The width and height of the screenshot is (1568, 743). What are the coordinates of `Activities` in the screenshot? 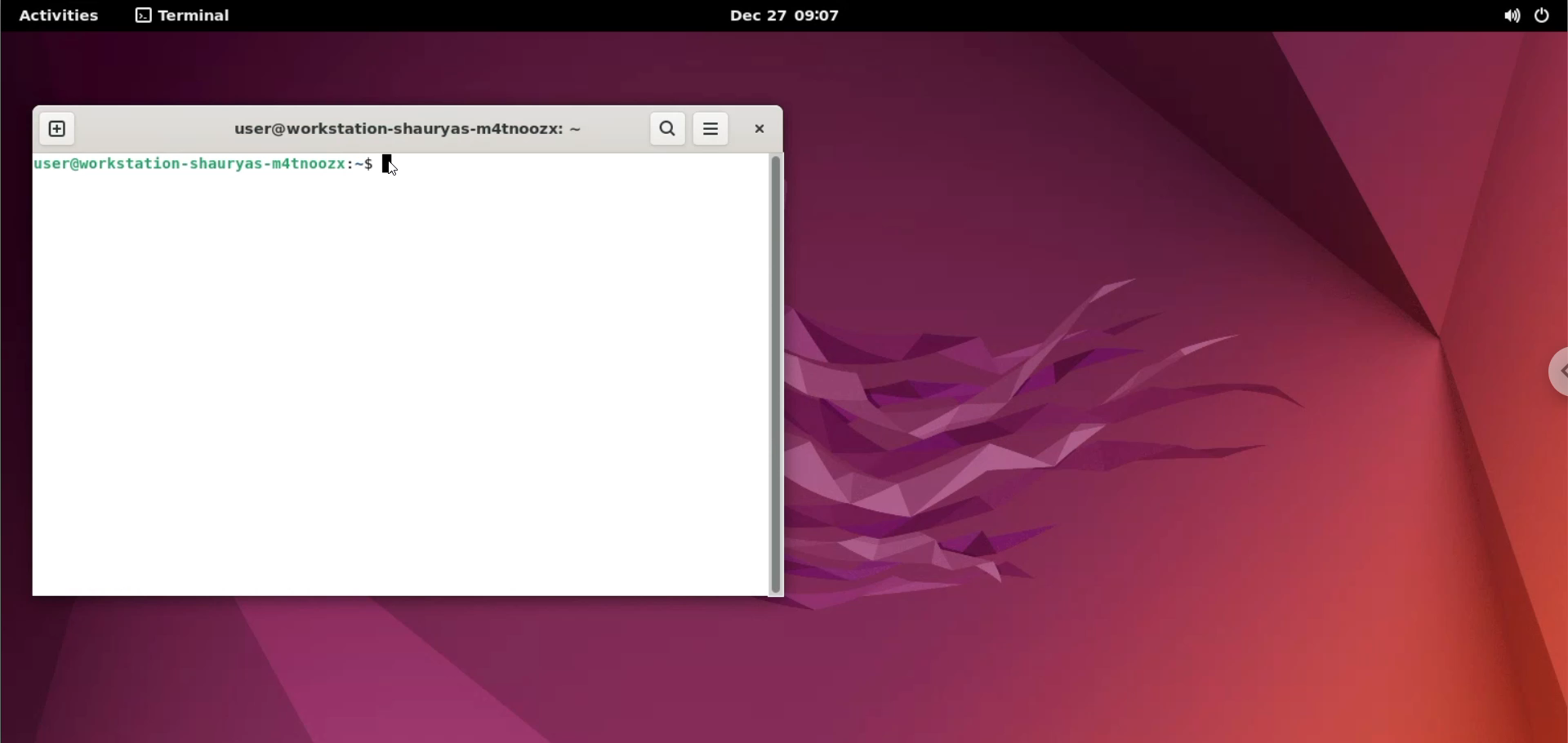 It's located at (58, 19).